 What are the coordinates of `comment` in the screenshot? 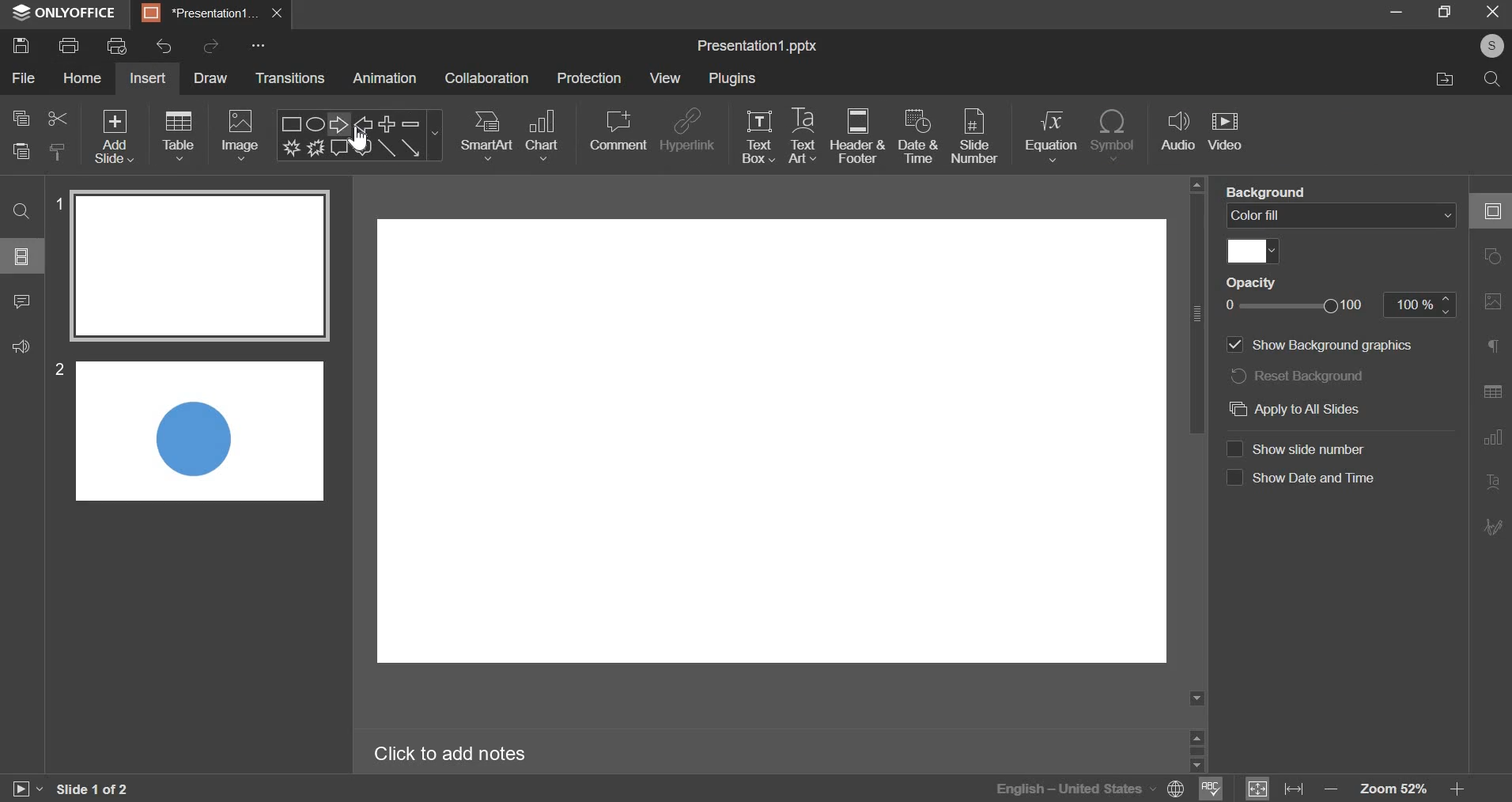 It's located at (22, 301).